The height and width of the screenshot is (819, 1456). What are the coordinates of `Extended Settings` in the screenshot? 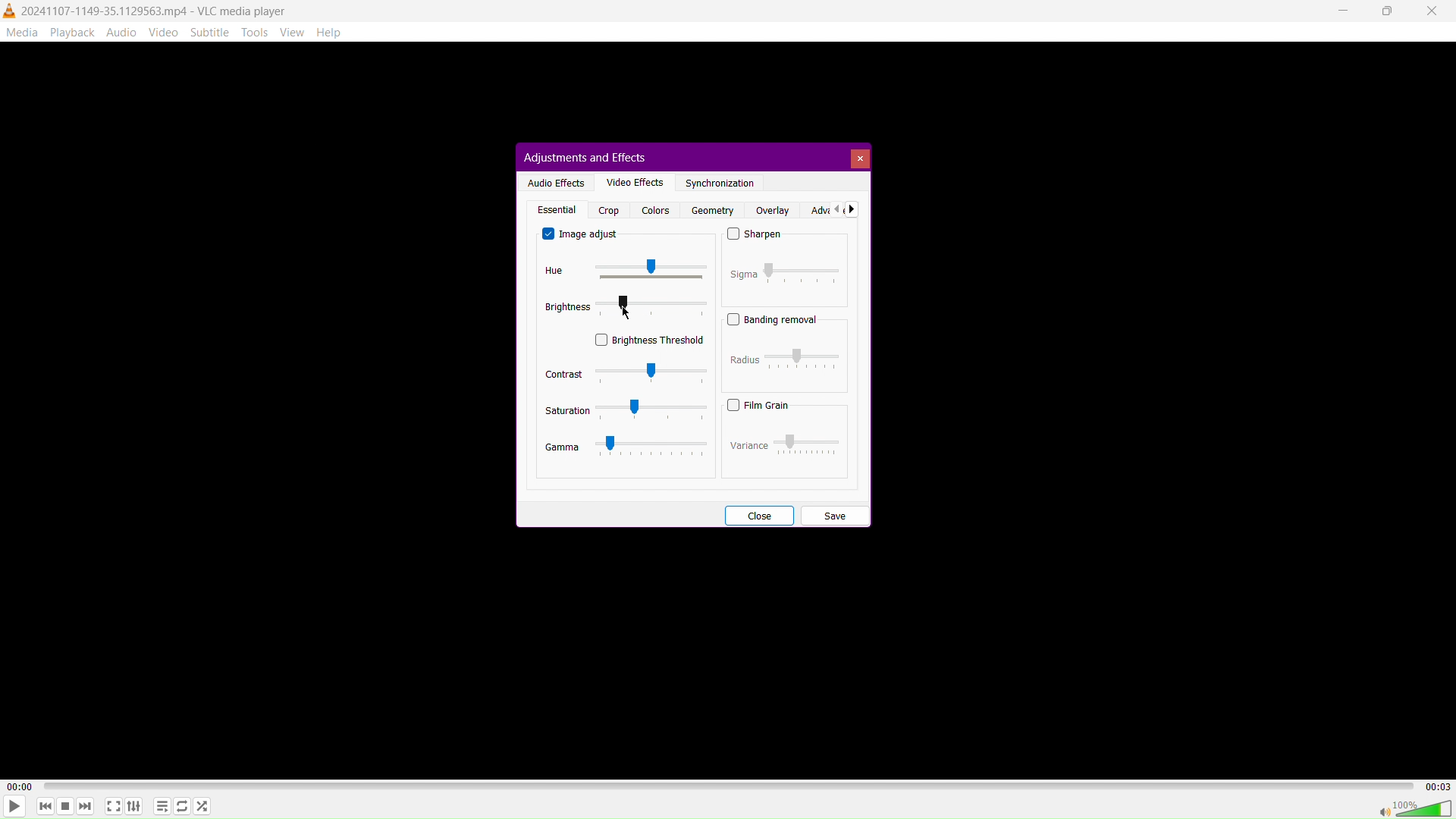 It's located at (135, 807).